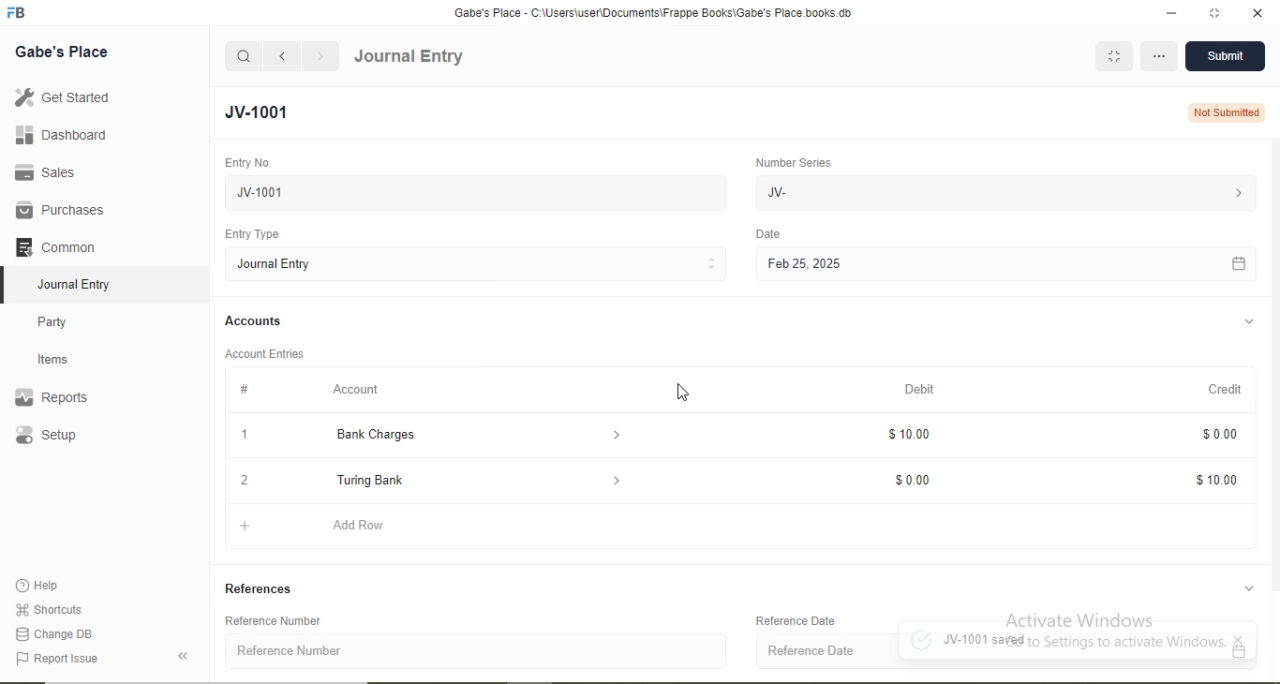 This screenshot has height=684, width=1280. What do you see at coordinates (1226, 114) in the screenshot?
I see `Not Submitted` at bounding box center [1226, 114].